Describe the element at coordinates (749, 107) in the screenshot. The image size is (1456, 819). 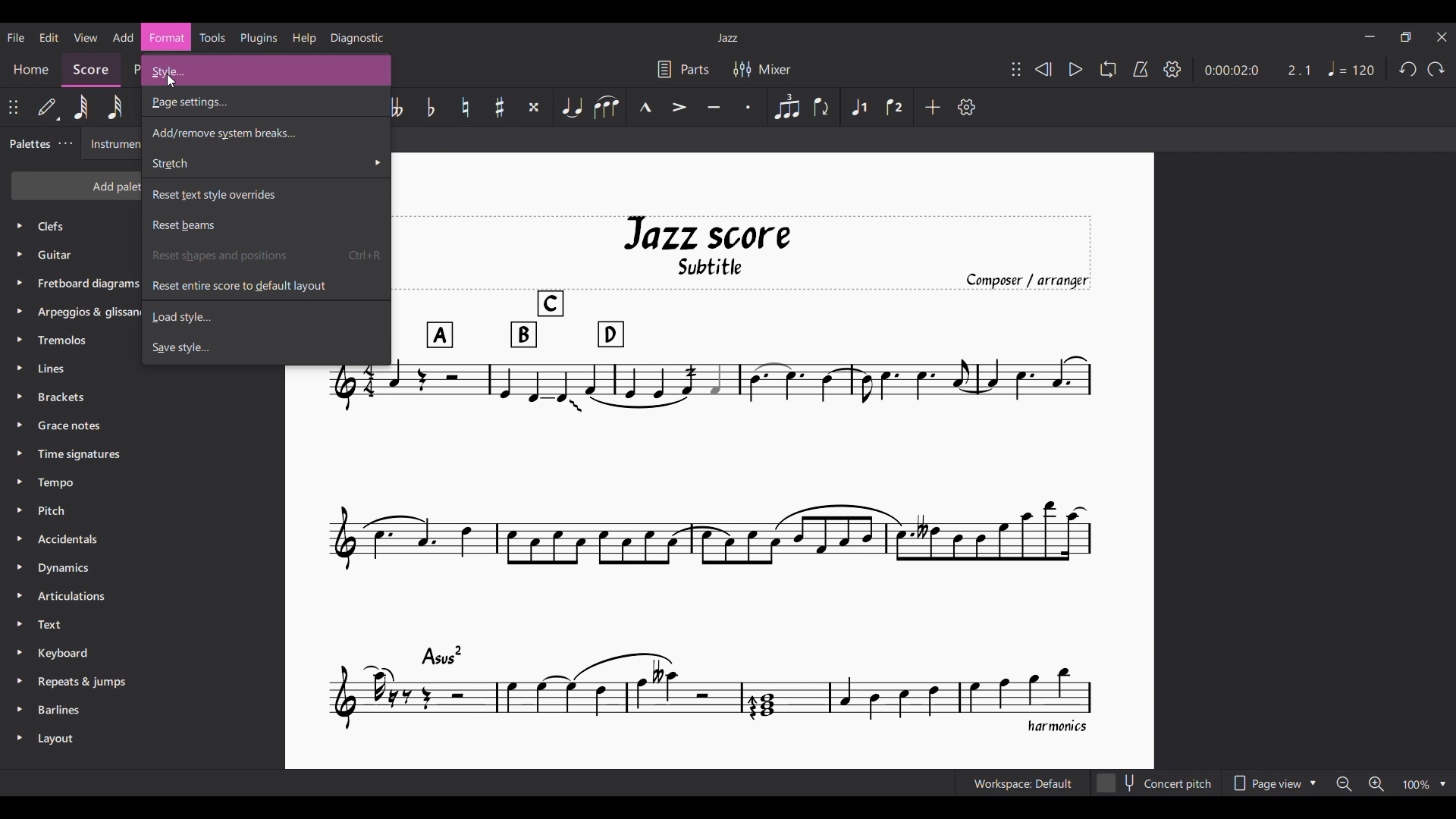
I see `Staccato` at that location.